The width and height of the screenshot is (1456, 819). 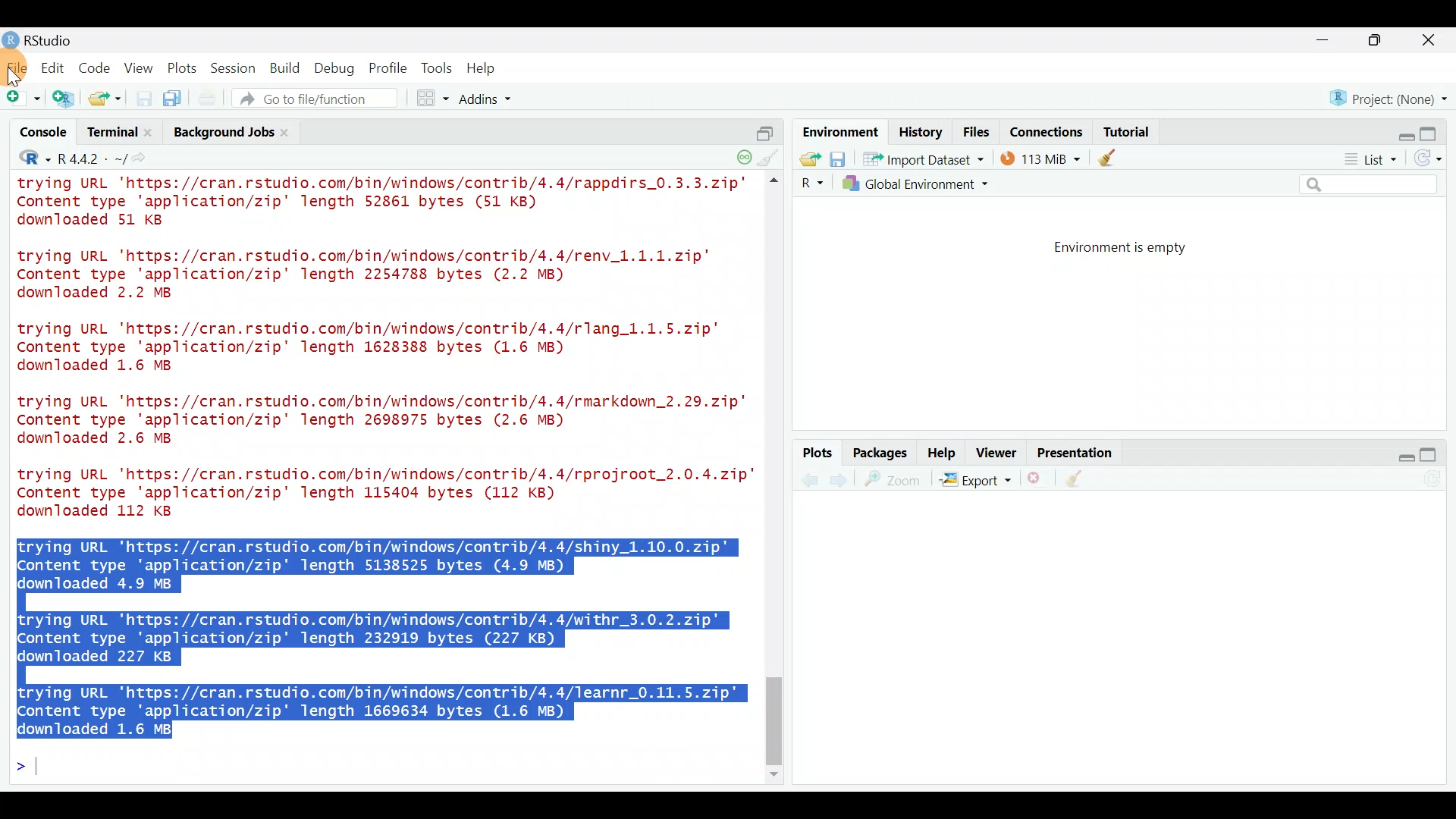 I want to click on Refresh current plot, so click(x=1437, y=480).